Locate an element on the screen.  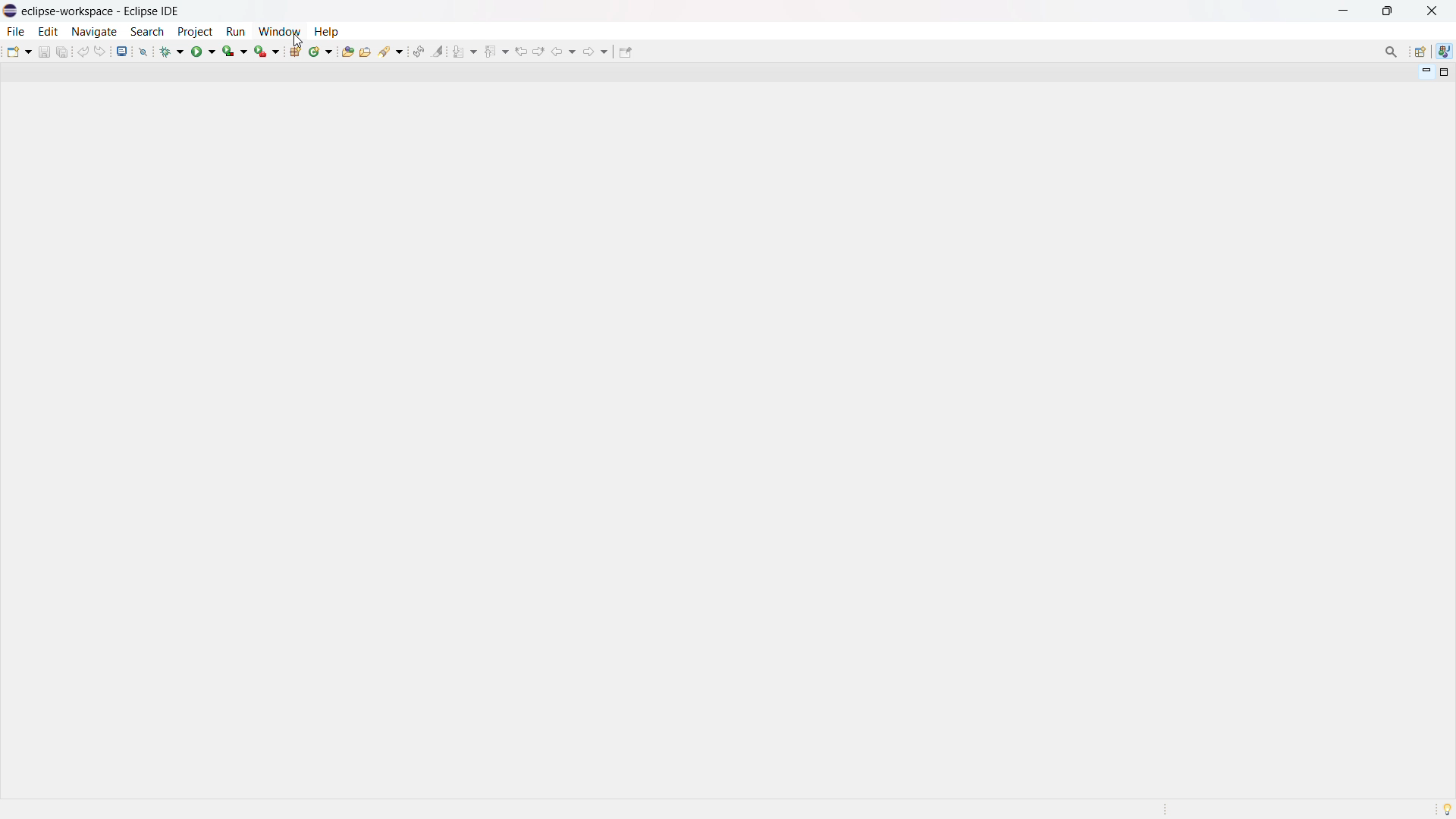
toggle ant editor auto reconcile is located at coordinates (418, 51).